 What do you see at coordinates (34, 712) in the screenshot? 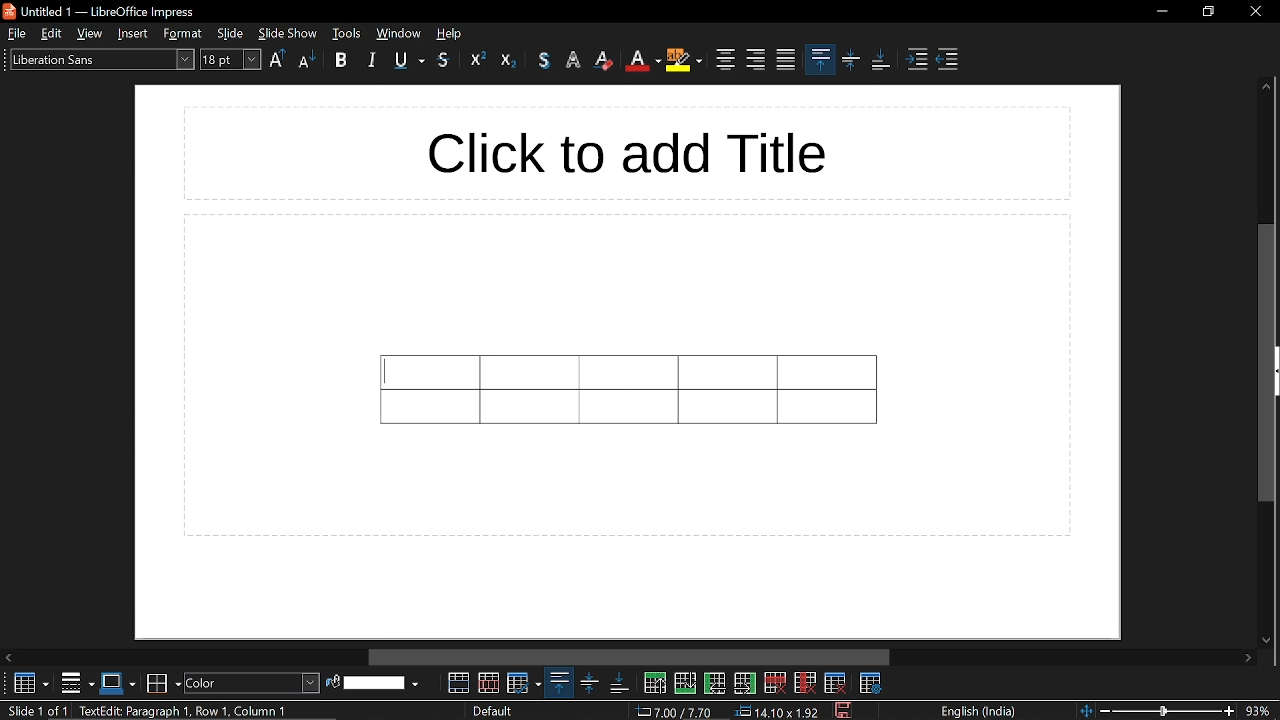
I see `slide 1 of 1` at bounding box center [34, 712].